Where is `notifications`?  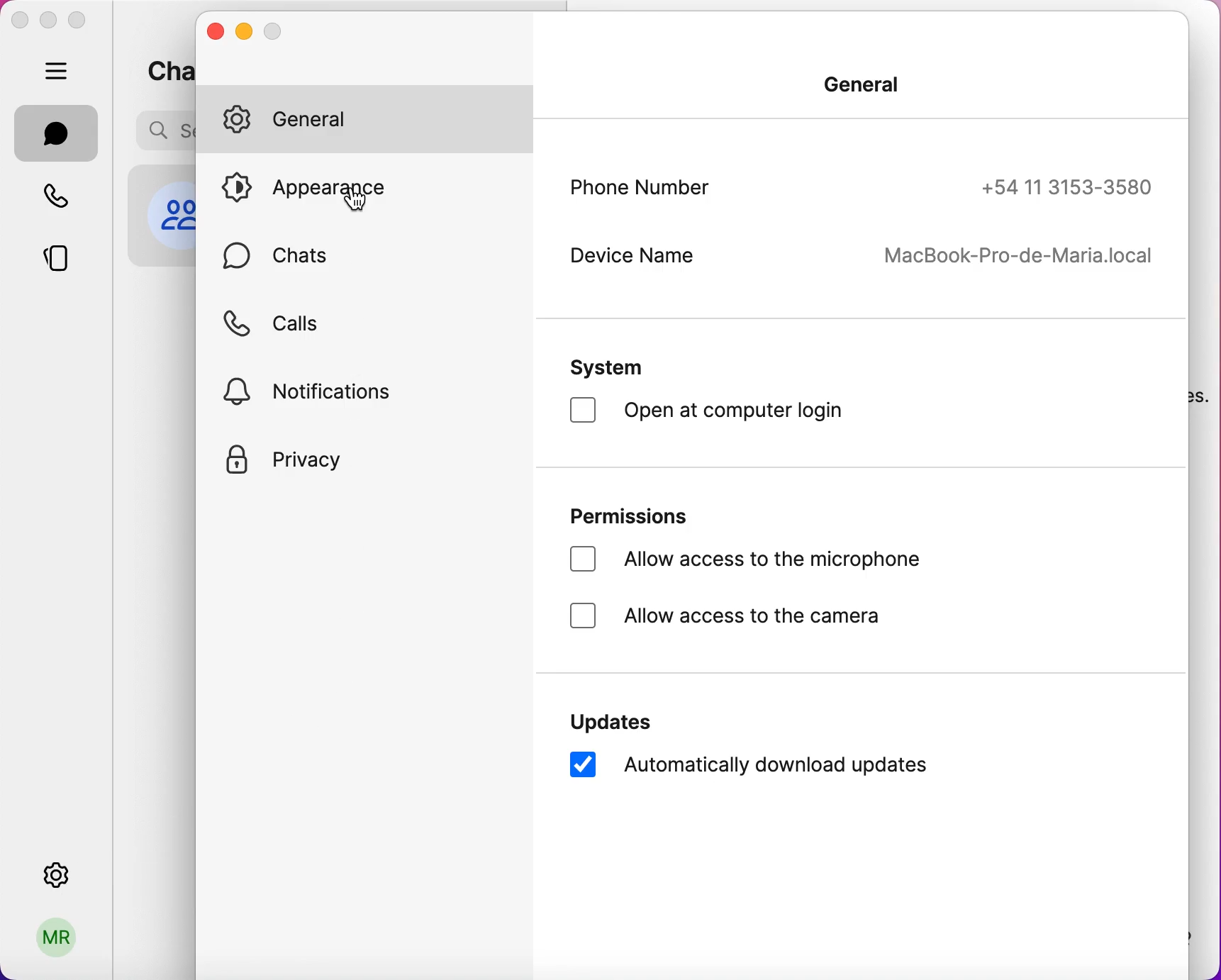 notifications is located at coordinates (327, 393).